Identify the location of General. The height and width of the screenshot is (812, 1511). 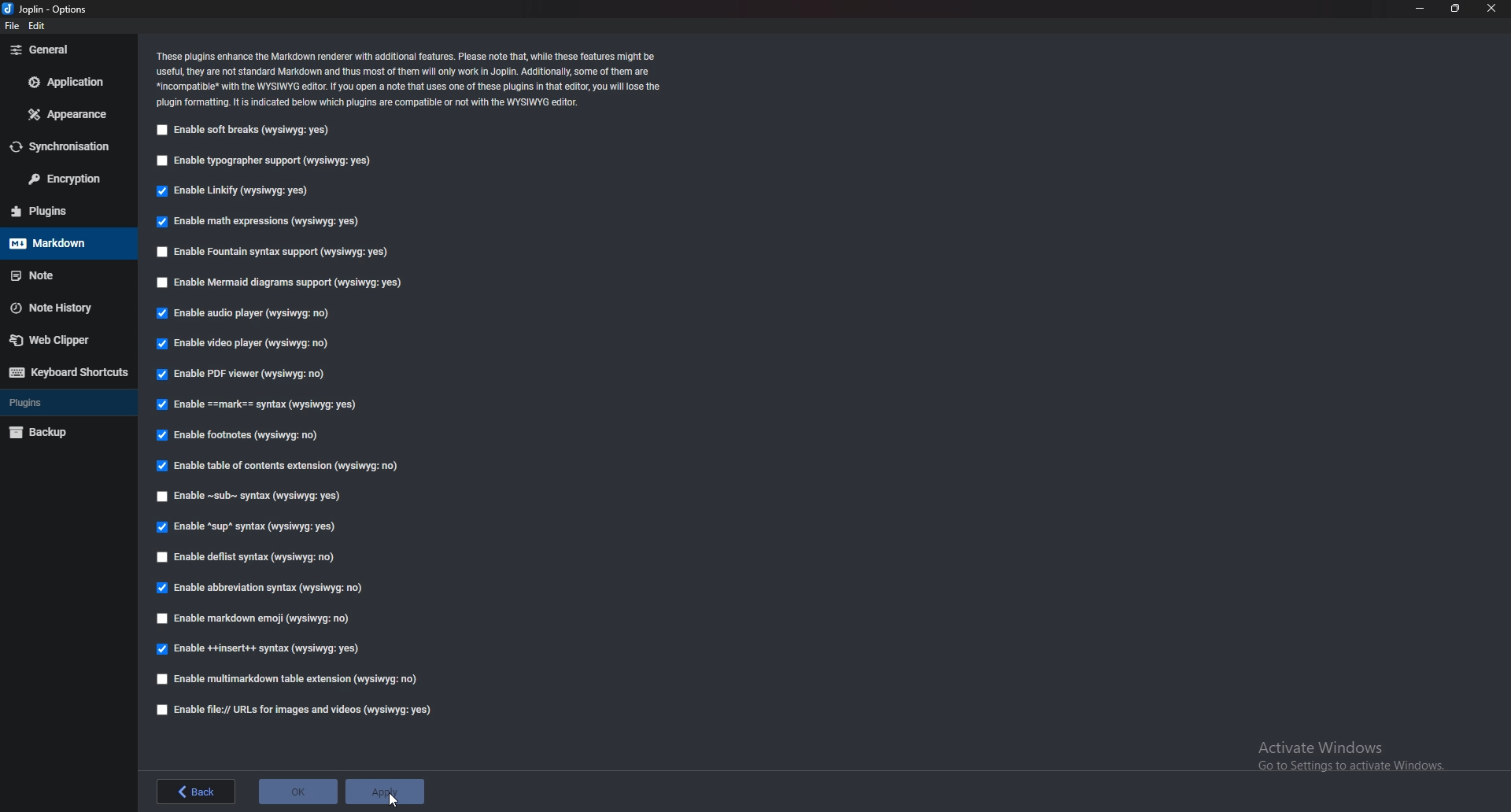
(68, 50).